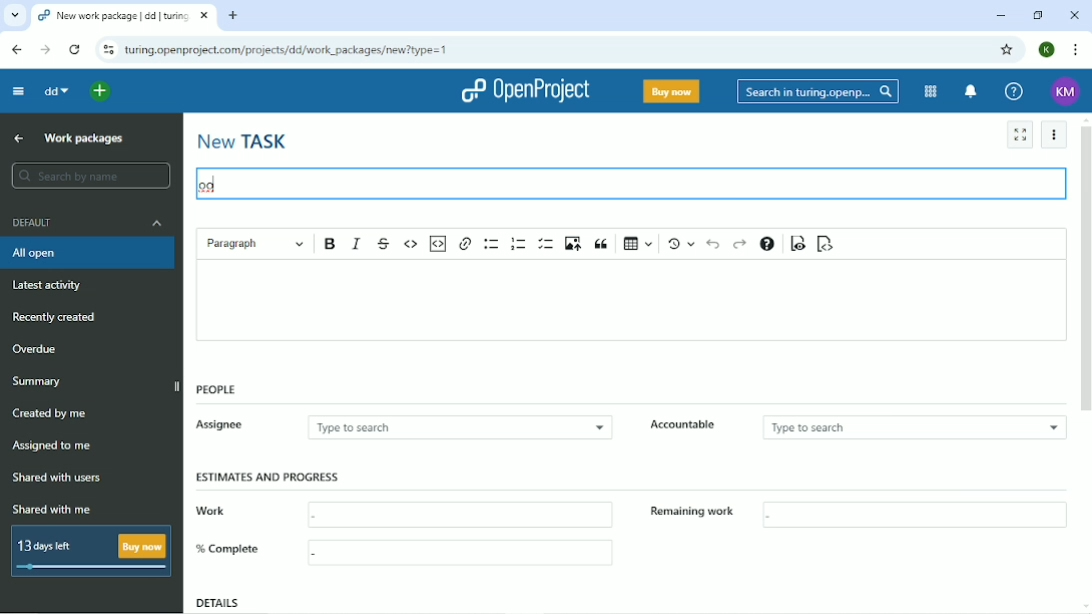  What do you see at coordinates (177, 360) in the screenshot?
I see `Vertical scrollbar` at bounding box center [177, 360].